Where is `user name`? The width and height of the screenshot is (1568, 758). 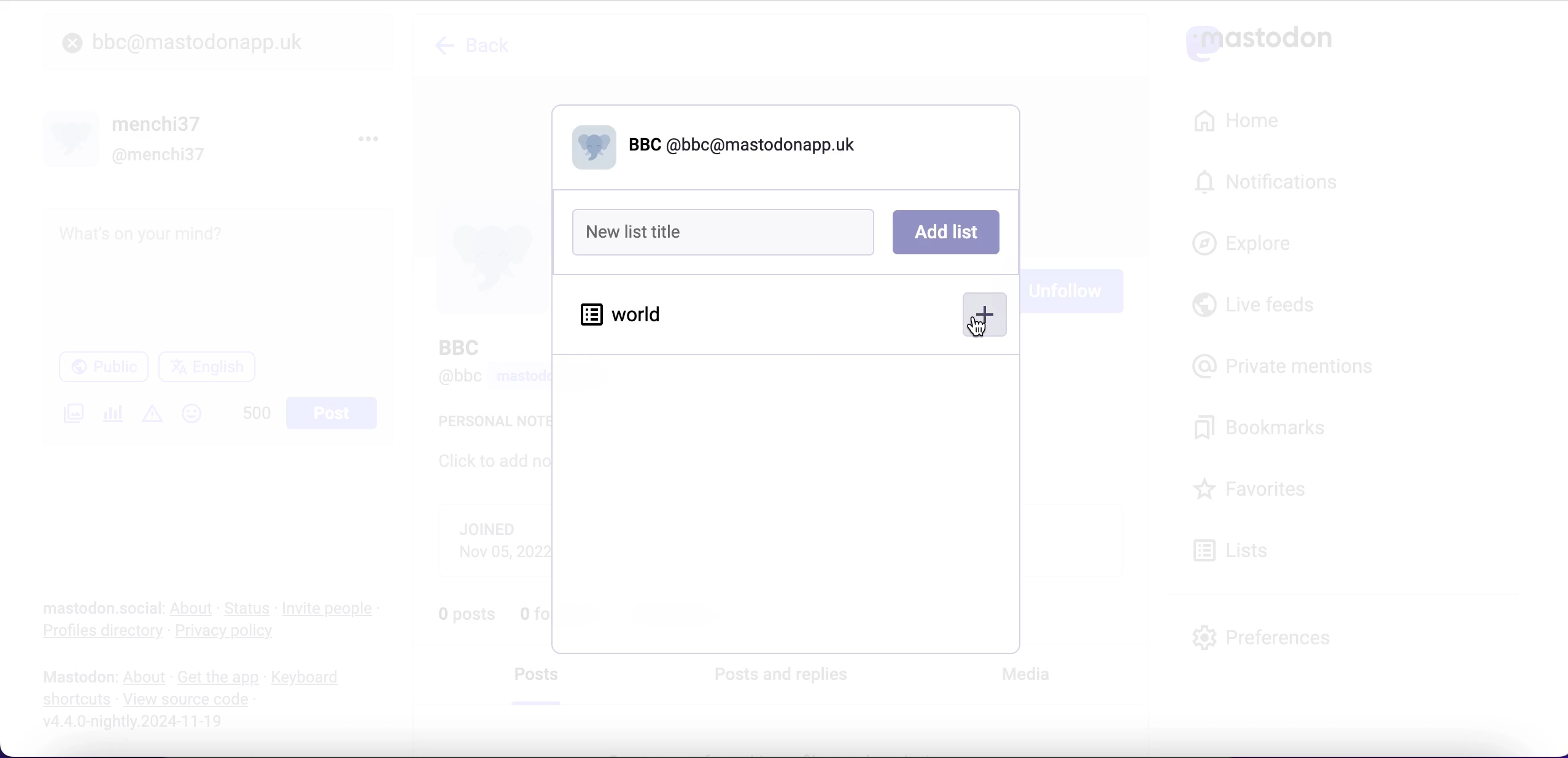 user name is located at coordinates (128, 138).